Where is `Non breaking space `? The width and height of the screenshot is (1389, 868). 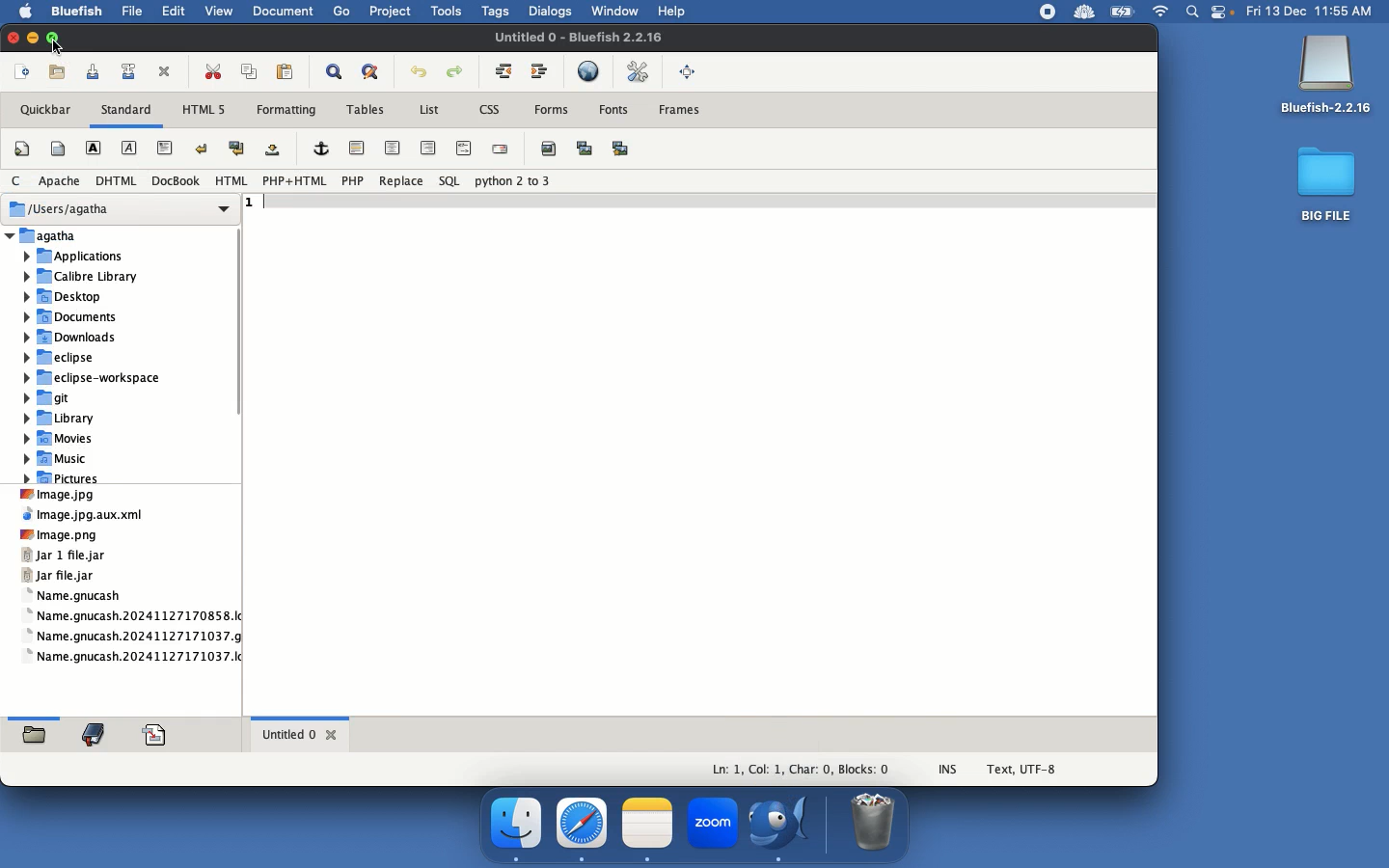
Non breaking space  is located at coordinates (275, 150).